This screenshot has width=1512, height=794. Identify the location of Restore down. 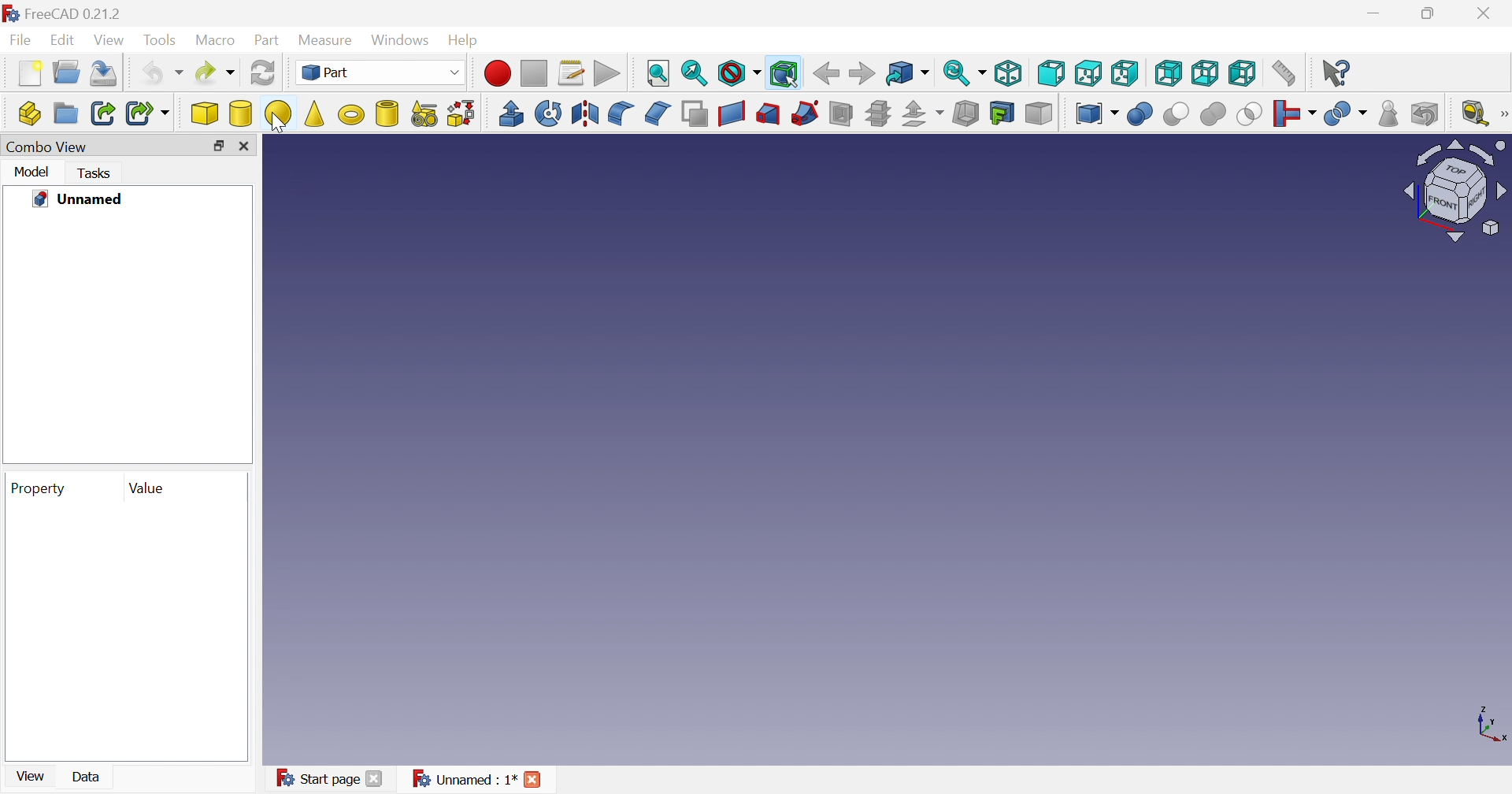
(218, 147).